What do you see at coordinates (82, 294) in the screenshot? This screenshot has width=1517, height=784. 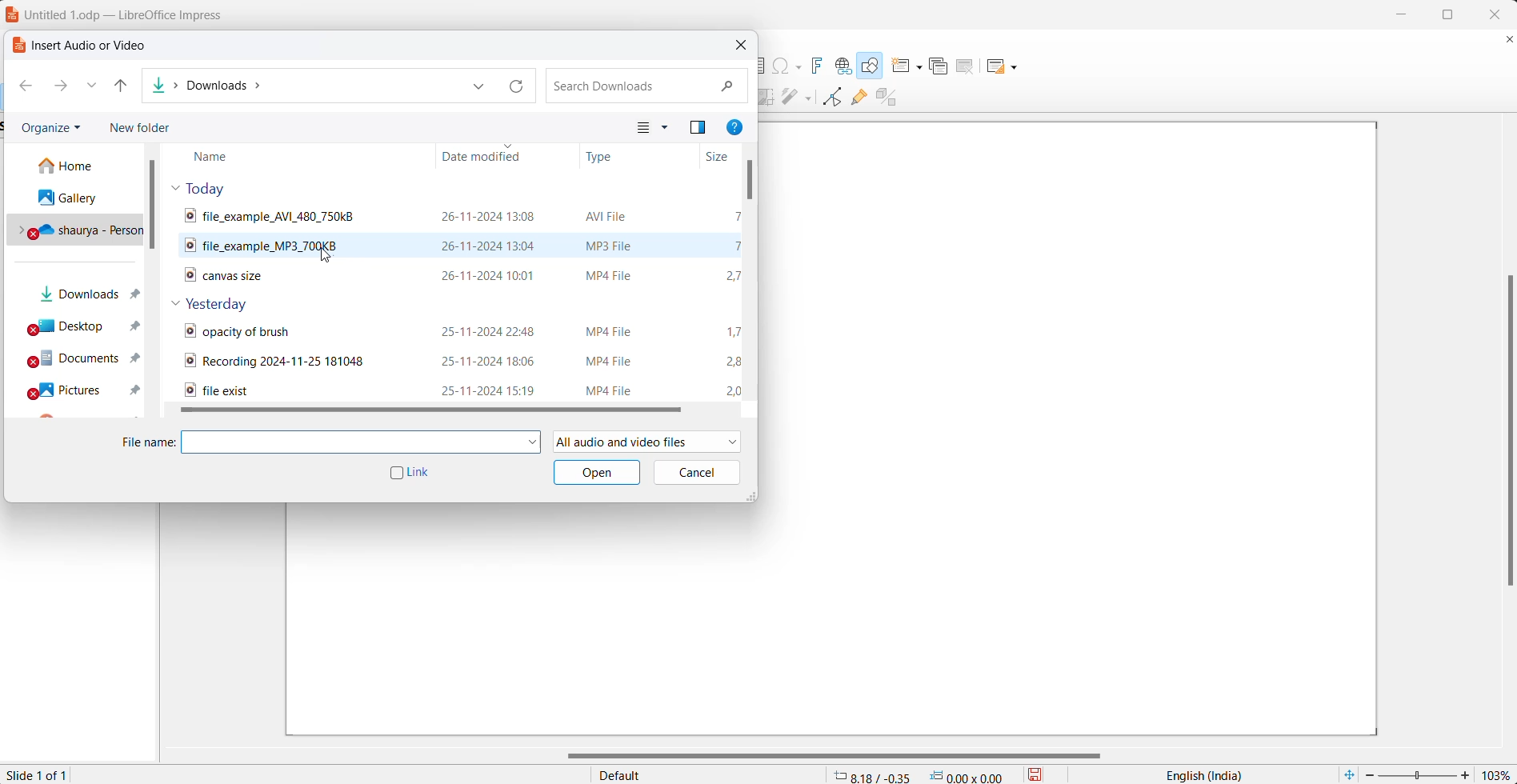 I see `downloads` at bounding box center [82, 294].